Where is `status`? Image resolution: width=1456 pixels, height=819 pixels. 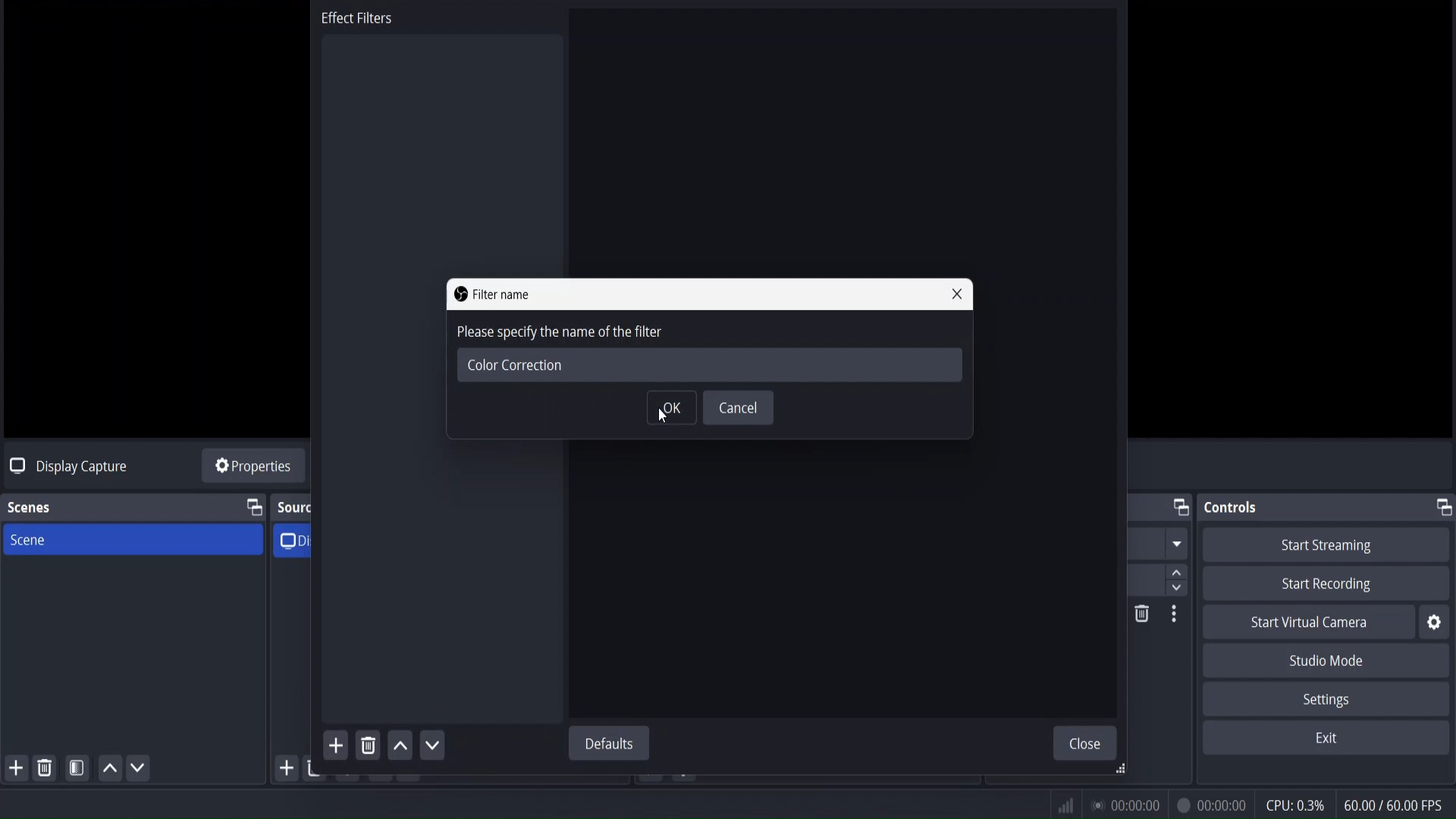 status is located at coordinates (1122, 802).